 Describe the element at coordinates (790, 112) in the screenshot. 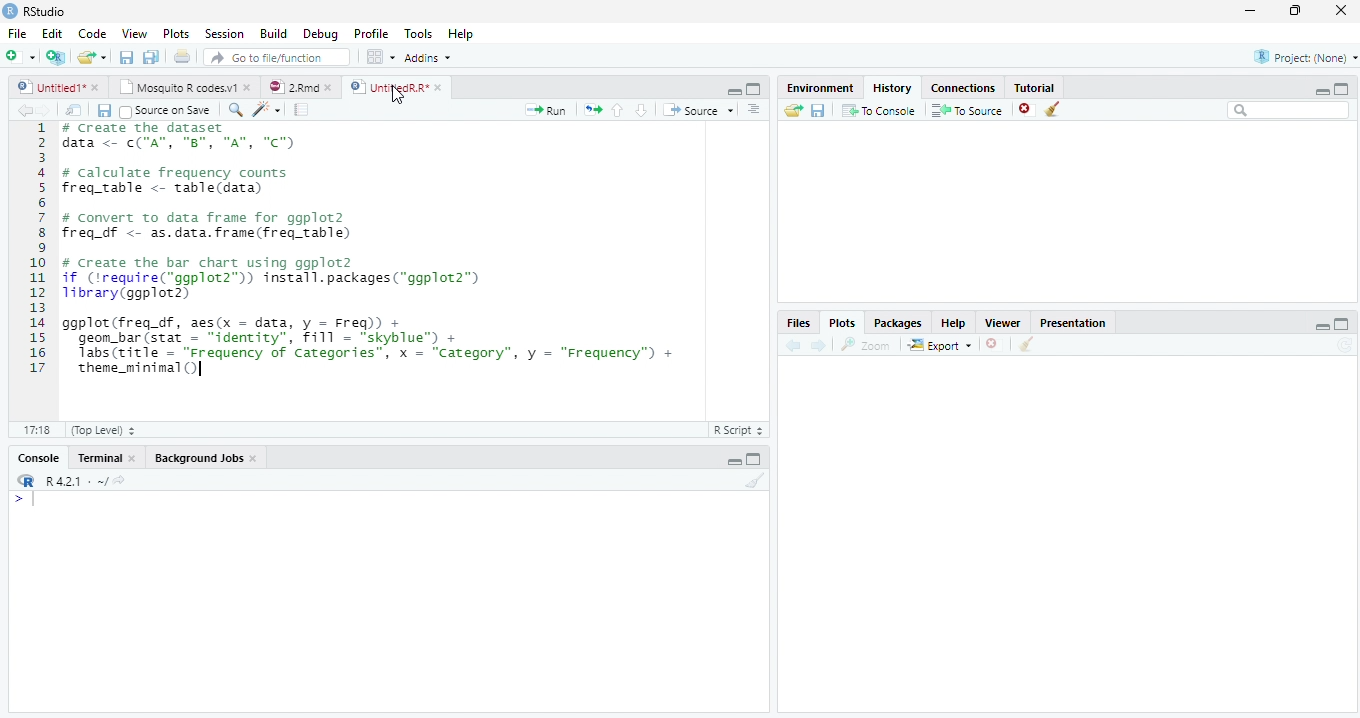

I see `Load workspace` at that location.